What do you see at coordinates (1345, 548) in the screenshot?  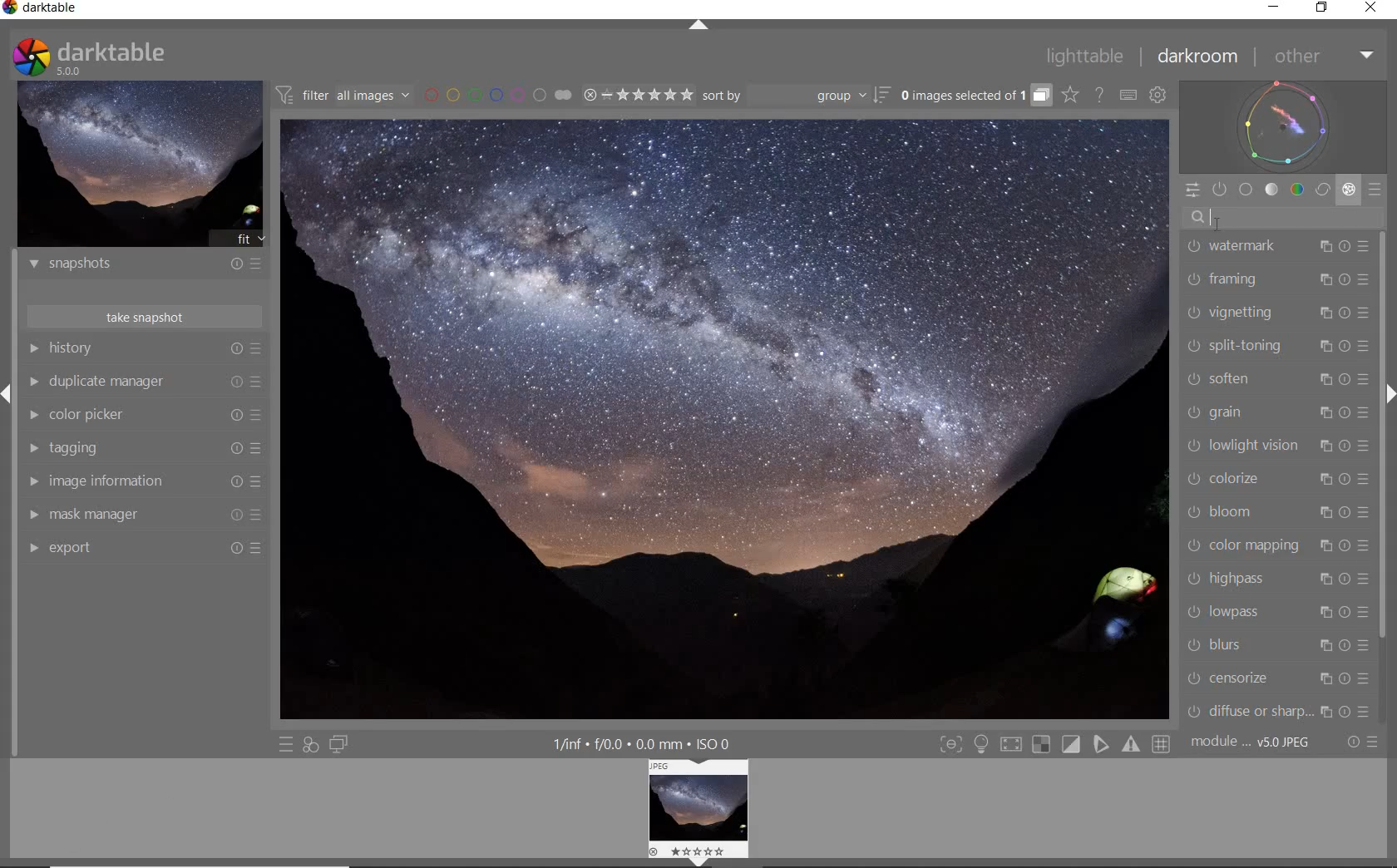 I see `reset parameters` at bounding box center [1345, 548].